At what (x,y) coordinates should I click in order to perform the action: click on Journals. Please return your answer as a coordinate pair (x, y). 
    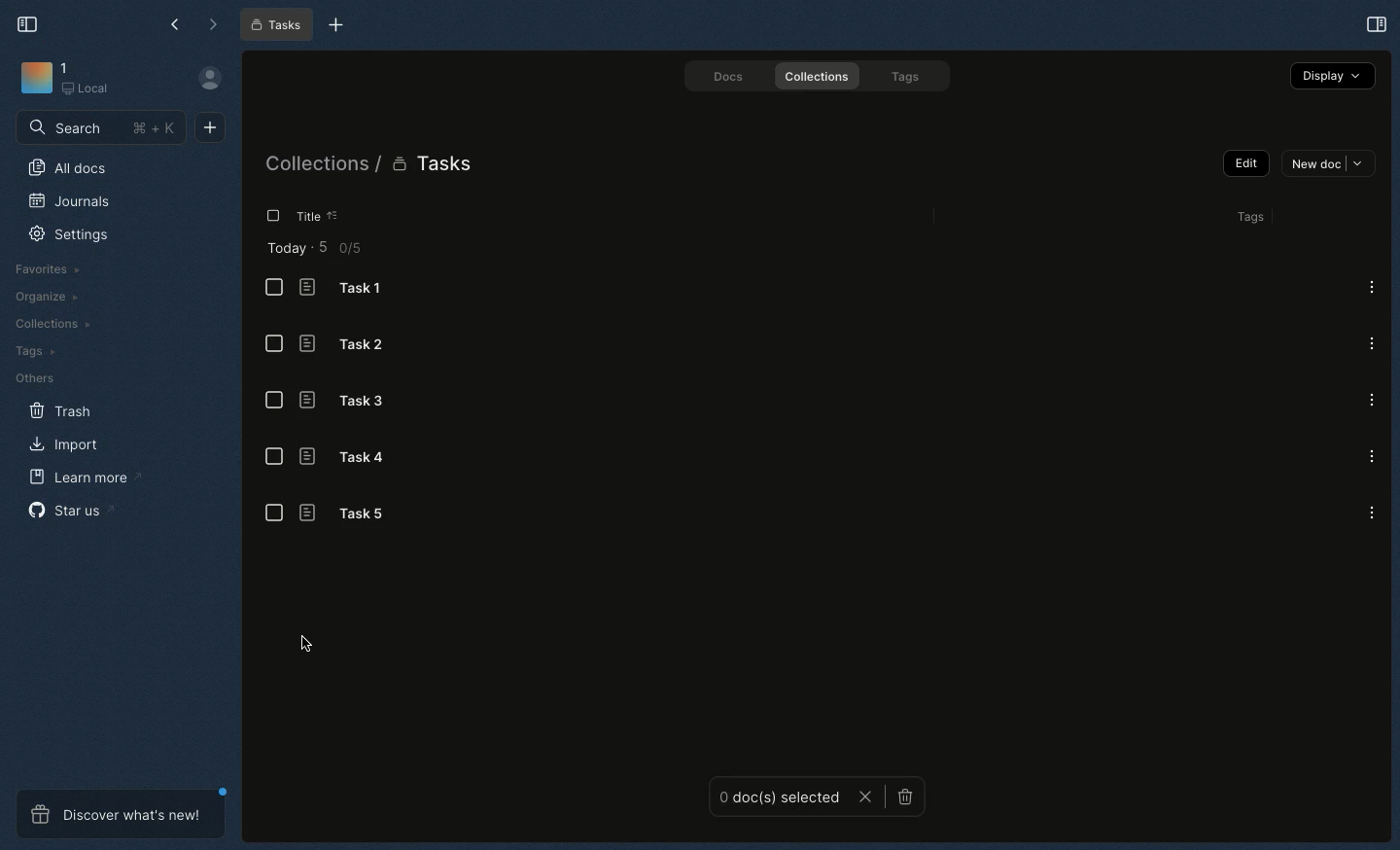
    Looking at the image, I should click on (70, 201).